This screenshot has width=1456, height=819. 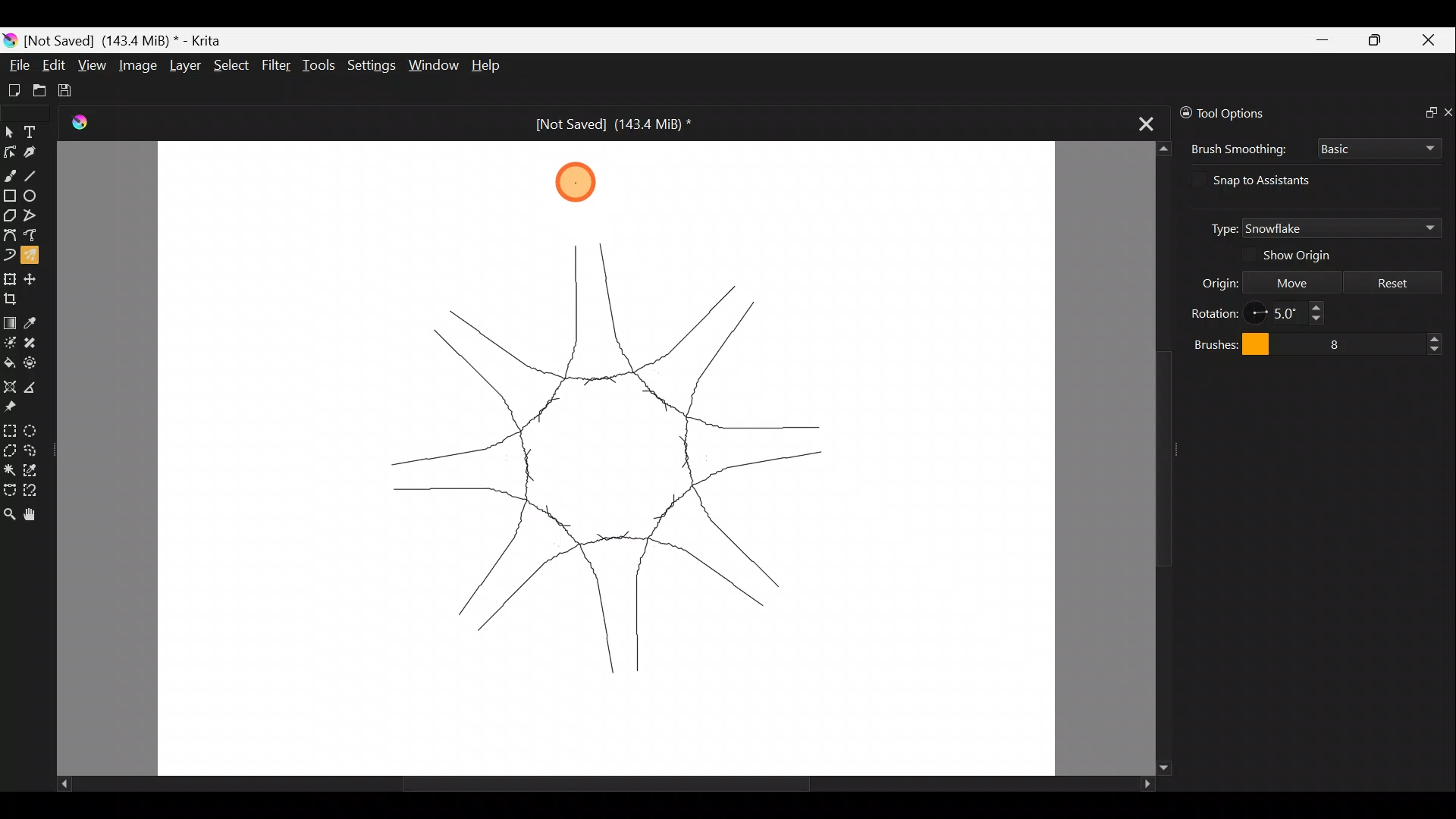 What do you see at coordinates (1216, 227) in the screenshot?
I see `Type` at bounding box center [1216, 227].